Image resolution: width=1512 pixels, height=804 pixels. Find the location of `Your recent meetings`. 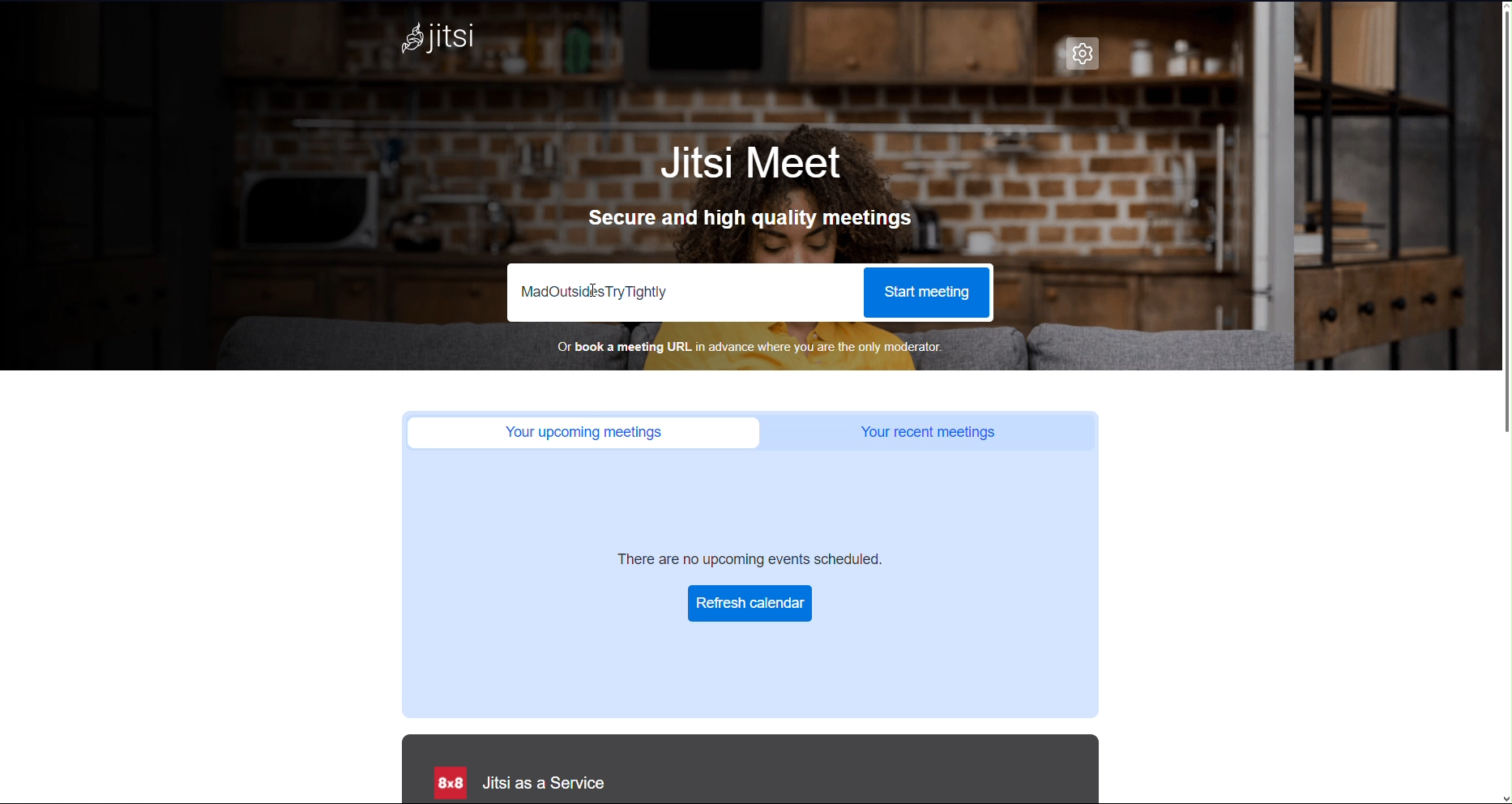

Your recent meetings is located at coordinates (929, 431).